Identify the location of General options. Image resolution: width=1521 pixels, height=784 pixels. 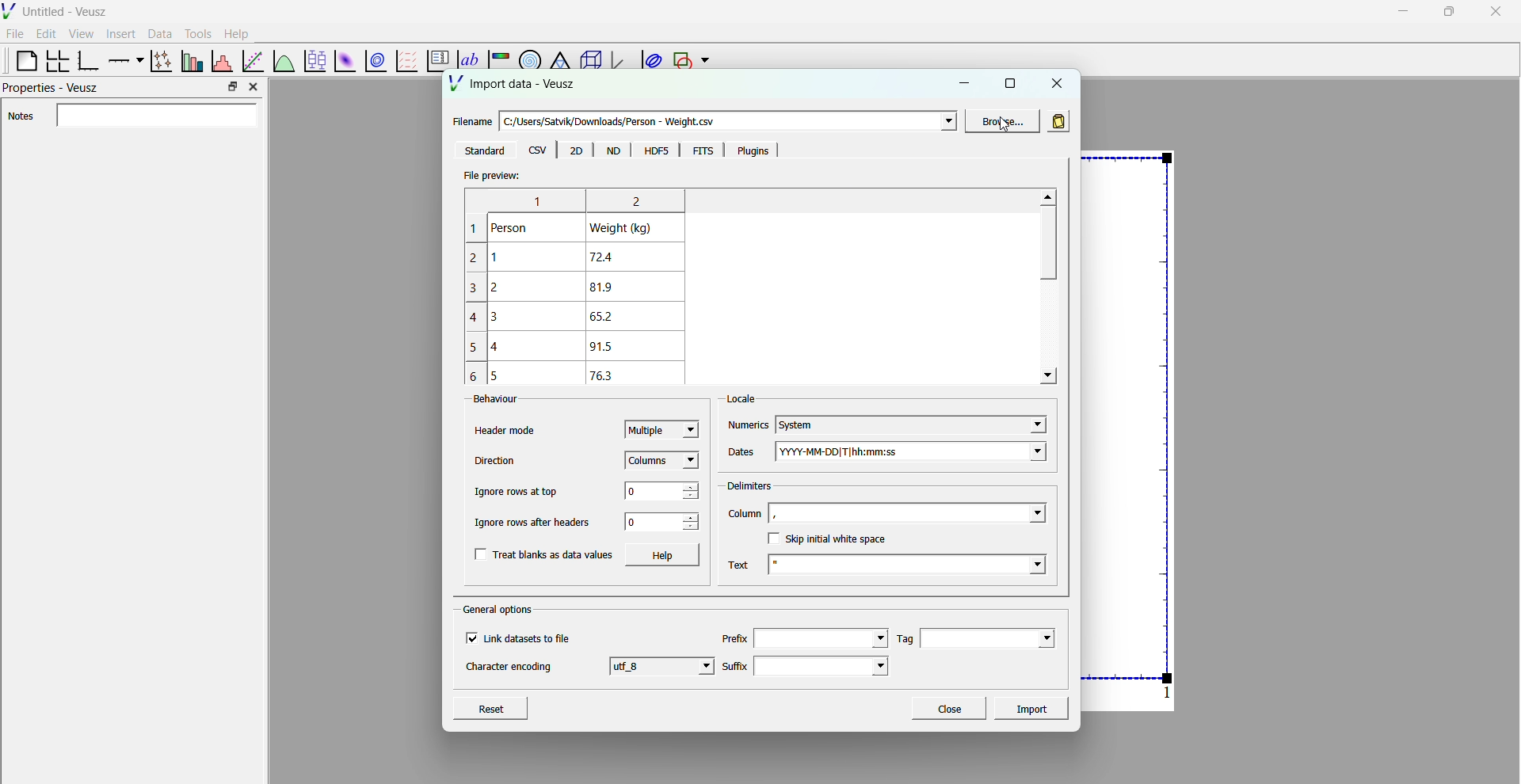
(501, 609).